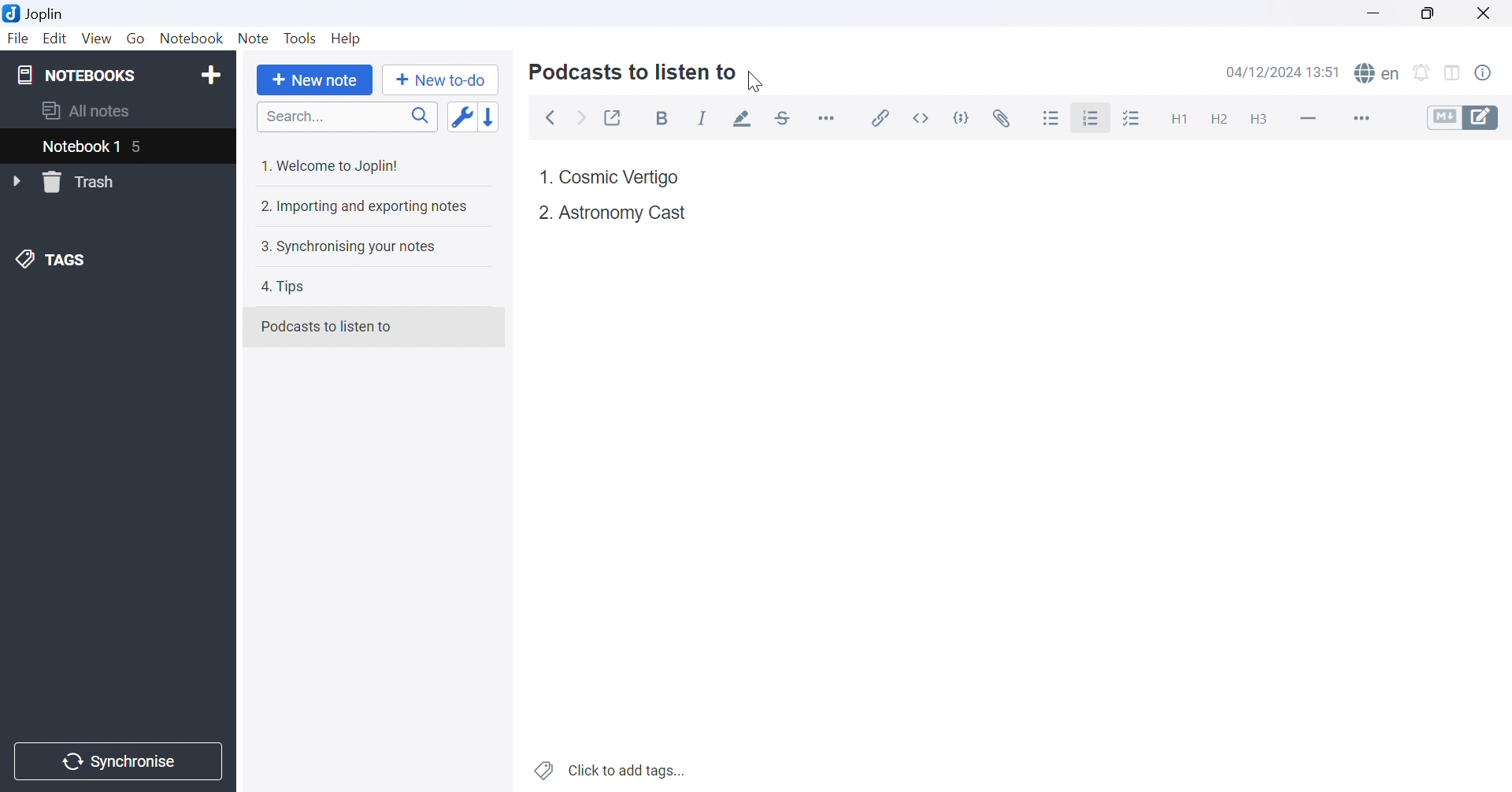 This screenshot has height=792, width=1512. What do you see at coordinates (350, 39) in the screenshot?
I see `Help` at bounding box center [350, 39].